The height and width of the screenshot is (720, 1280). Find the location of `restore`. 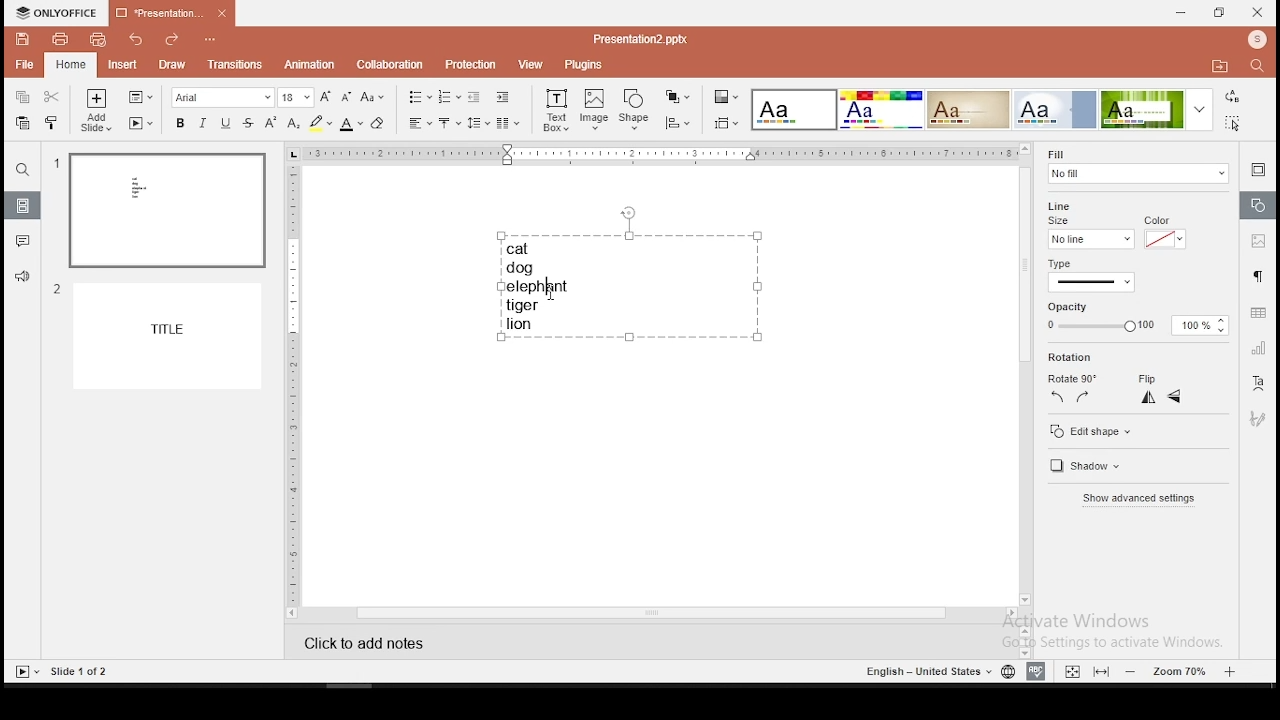

restore is located at coordinates (1217, 13).